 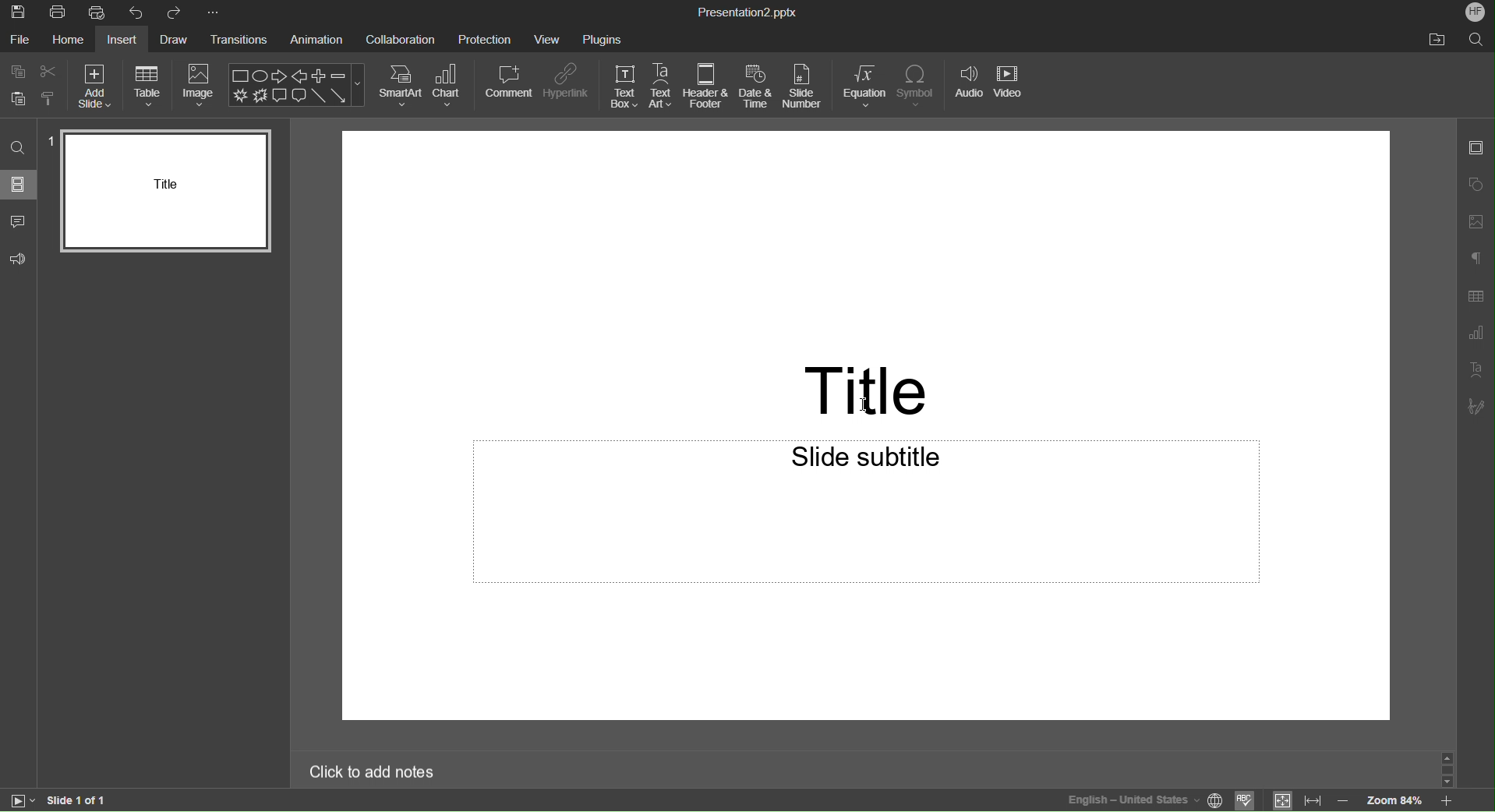 What do you see at coordinates (18, 148) in the screenshot?
I see `Search` at bounding box center [18, 148].